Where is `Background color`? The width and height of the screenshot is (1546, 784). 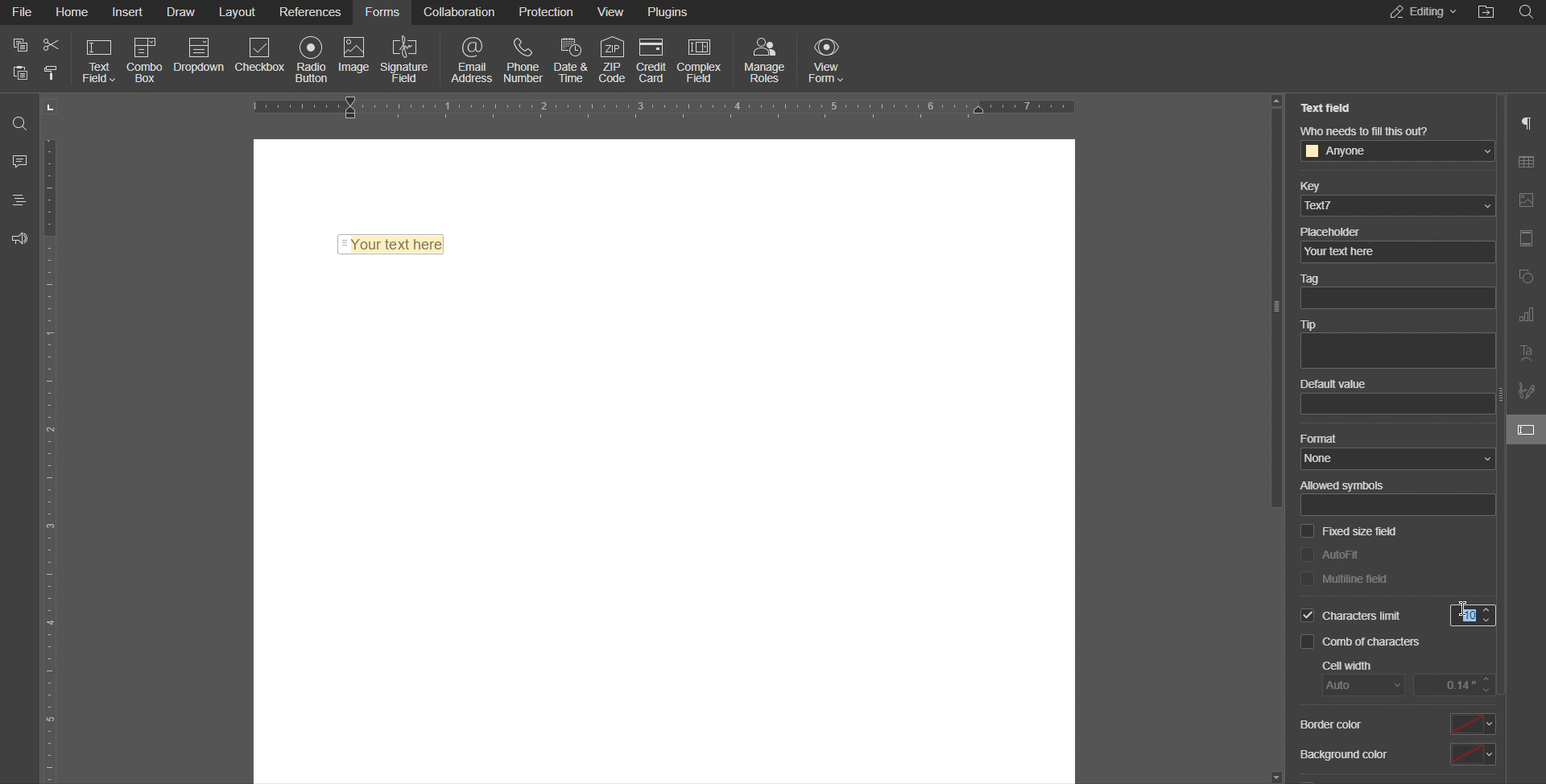
Background color is located at coordinates (1395, 757).